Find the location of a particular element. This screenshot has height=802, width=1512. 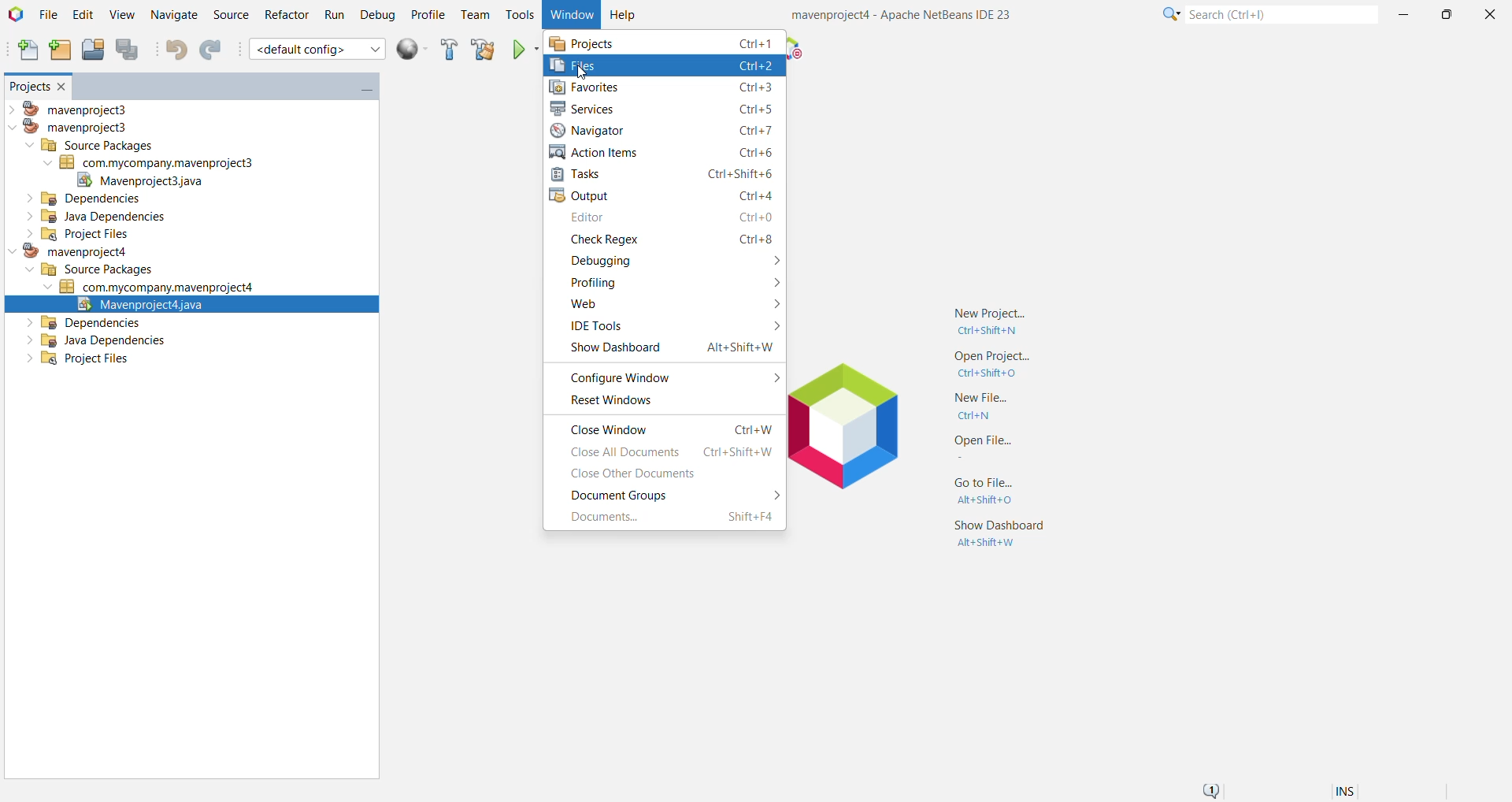

Run Project is located at coordinates (521, 50).